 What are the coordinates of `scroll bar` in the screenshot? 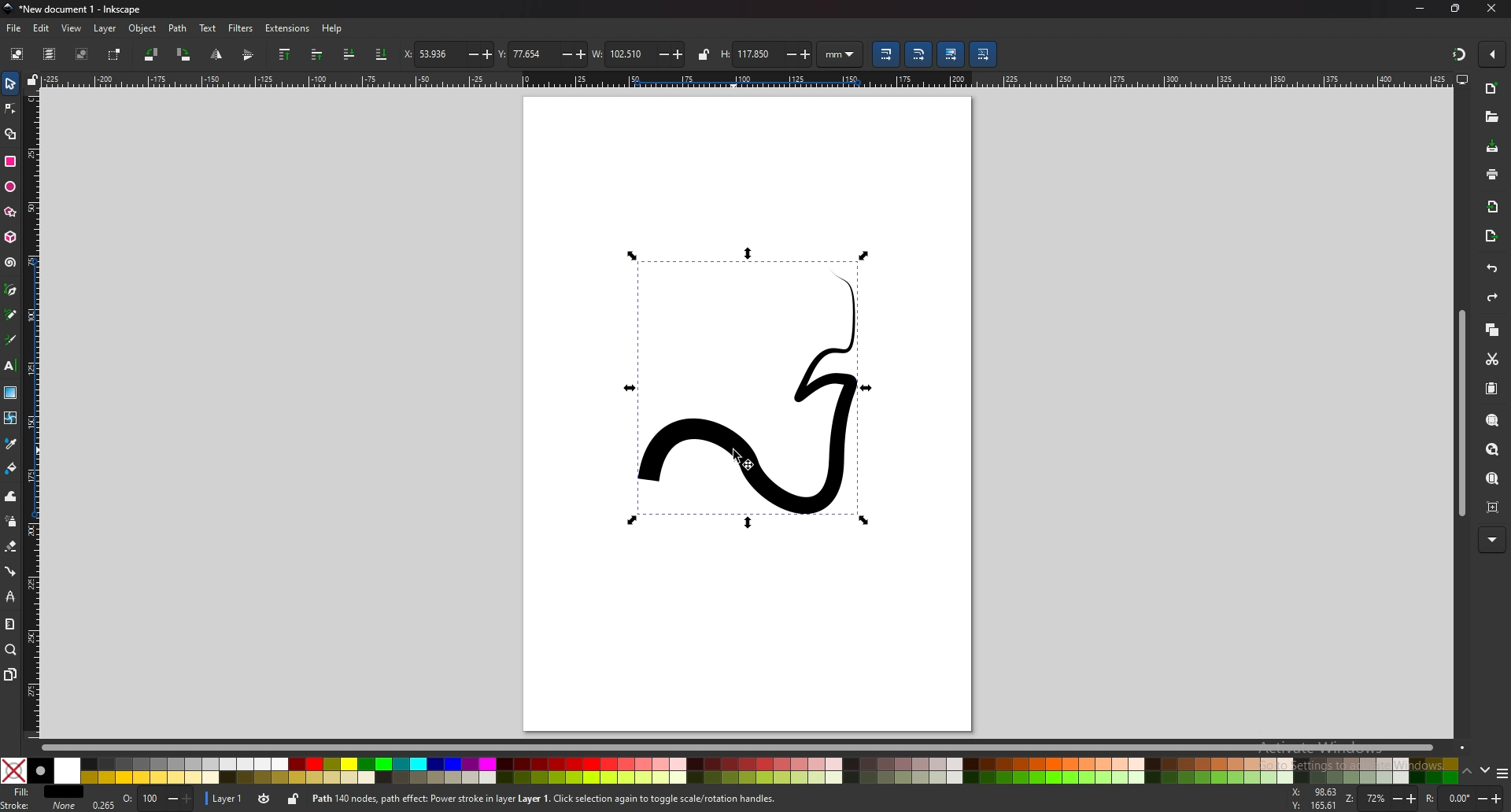 It's located at (1461, 413).